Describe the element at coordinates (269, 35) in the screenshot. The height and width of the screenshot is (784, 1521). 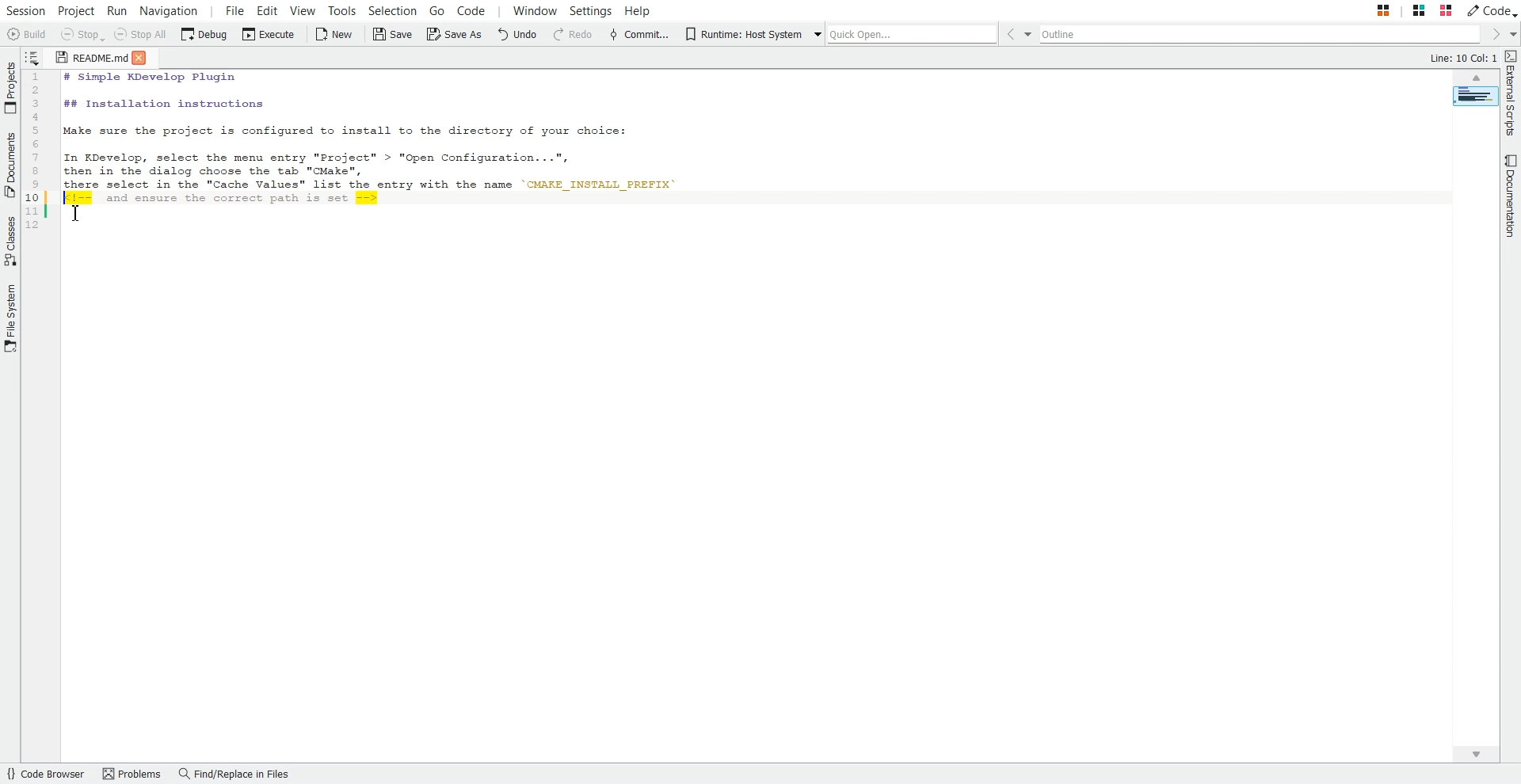
I see `Execute` at that location.